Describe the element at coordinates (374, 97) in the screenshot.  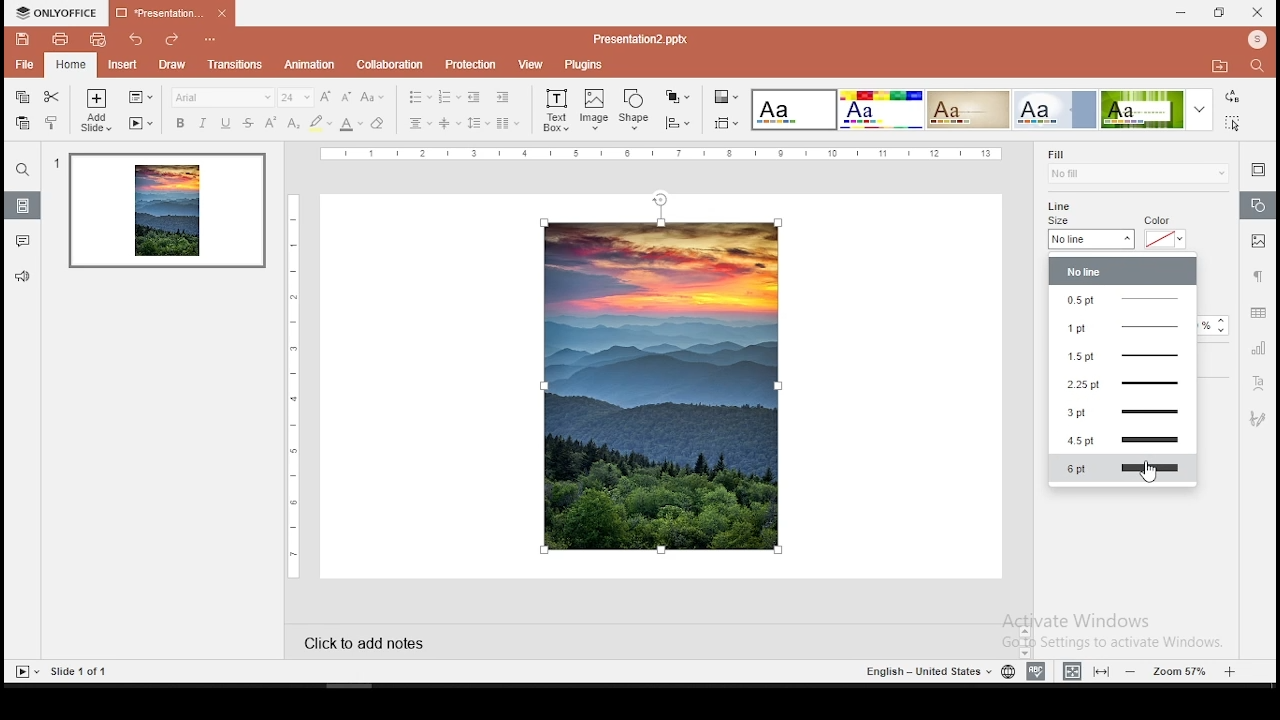
I see `change case` at that location.